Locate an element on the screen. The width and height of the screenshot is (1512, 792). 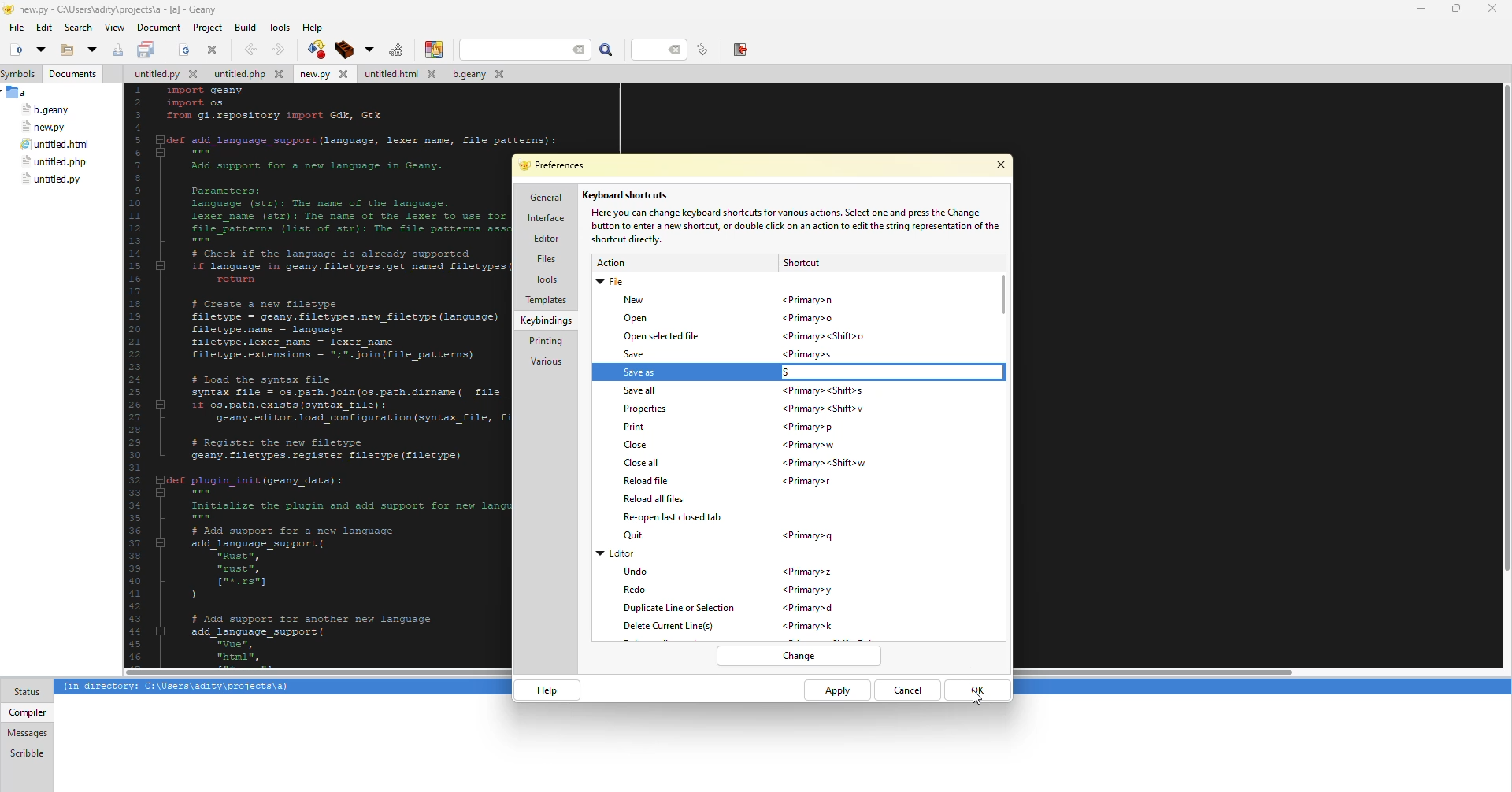
status is located at coordinates (27, 692).